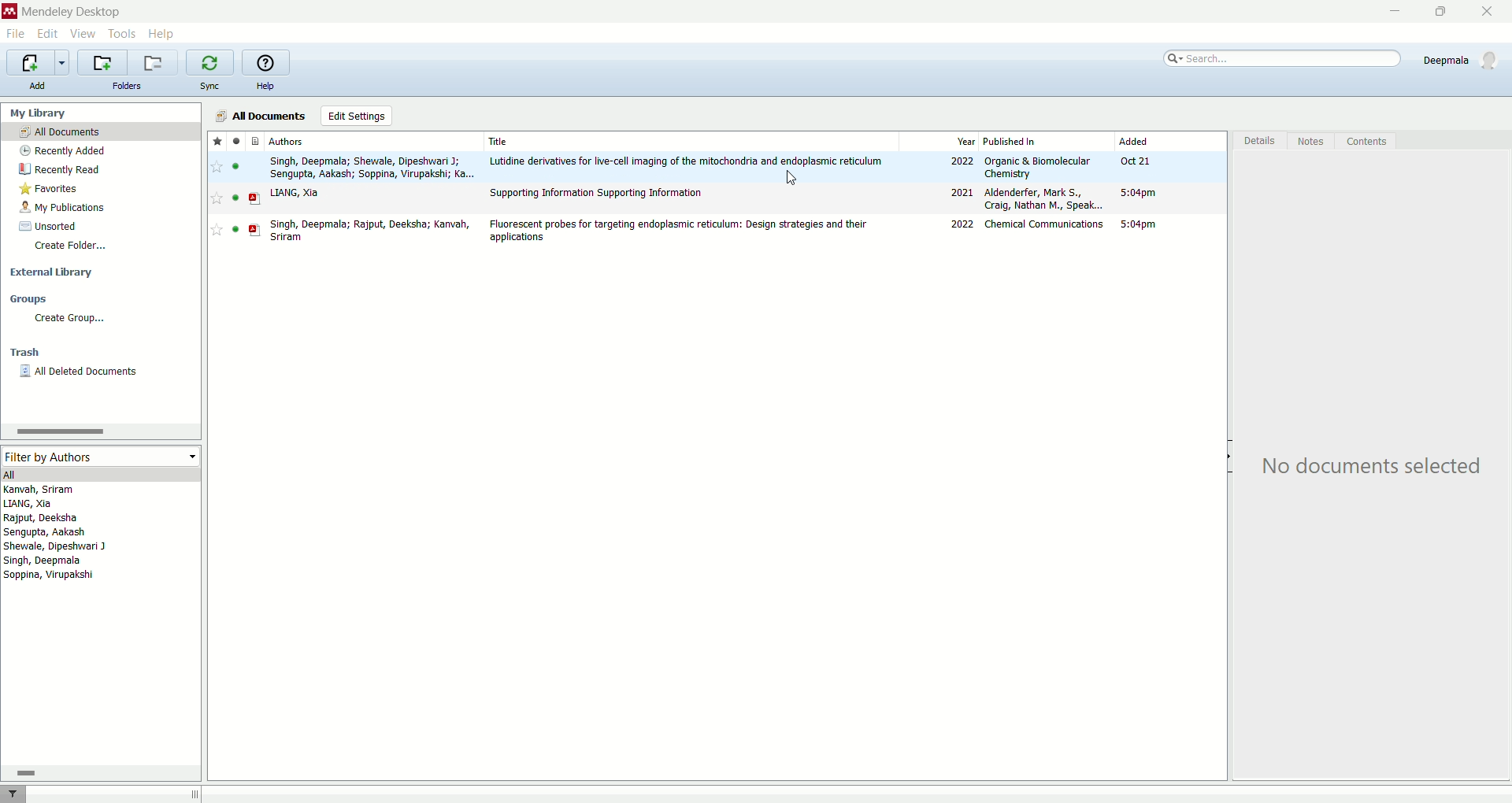  Describe the element at coordinates (1231, 457) in the screenshot. I see `toggle hide/show` at that location.